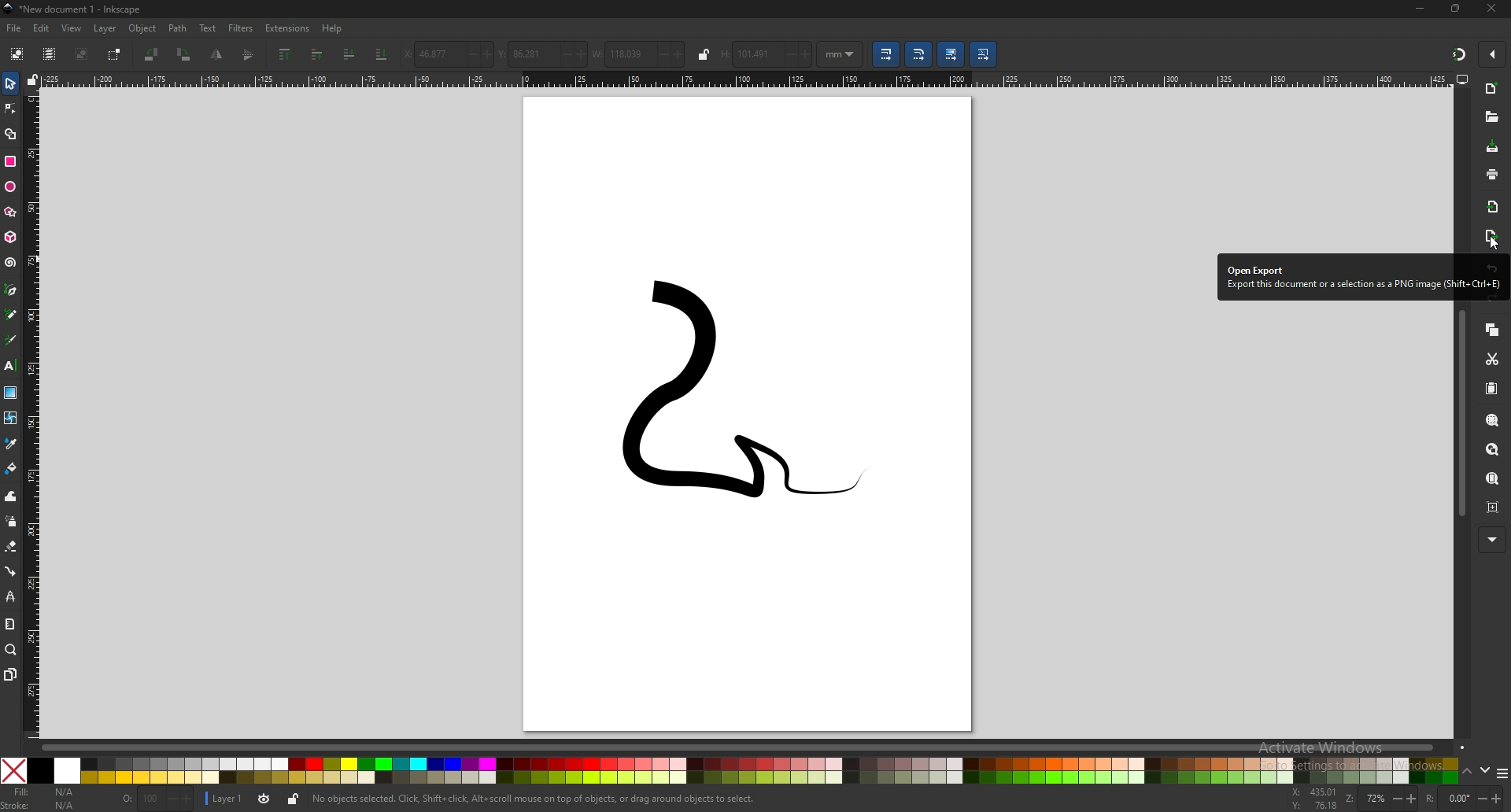 This screenshot has height=812, width=1511. Describe the element at coordinates (748, 747) in the screenshot. I see `scroll bar` at that location.